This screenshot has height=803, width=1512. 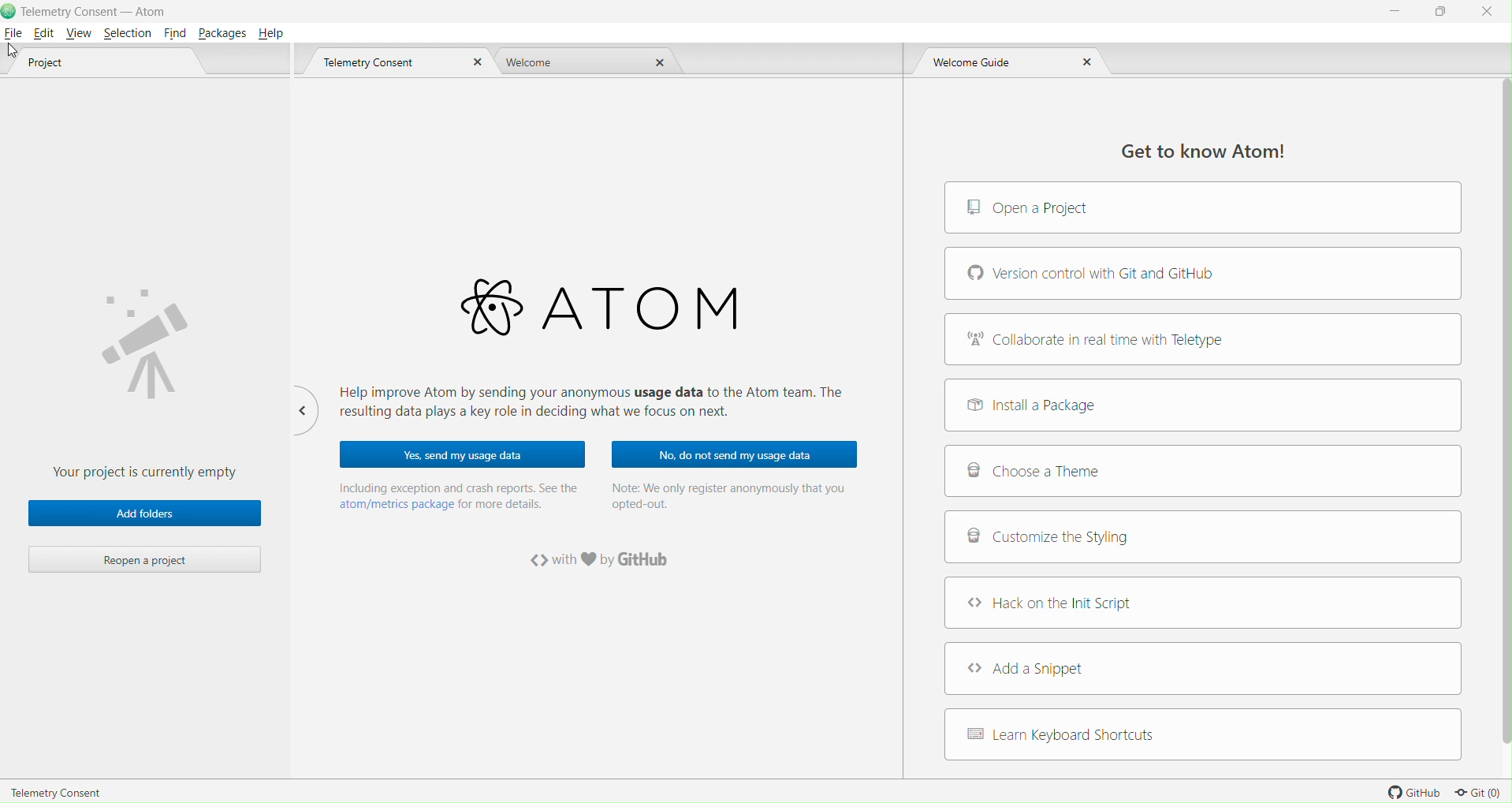 I want to click on Close, so click(x=661, y=62).